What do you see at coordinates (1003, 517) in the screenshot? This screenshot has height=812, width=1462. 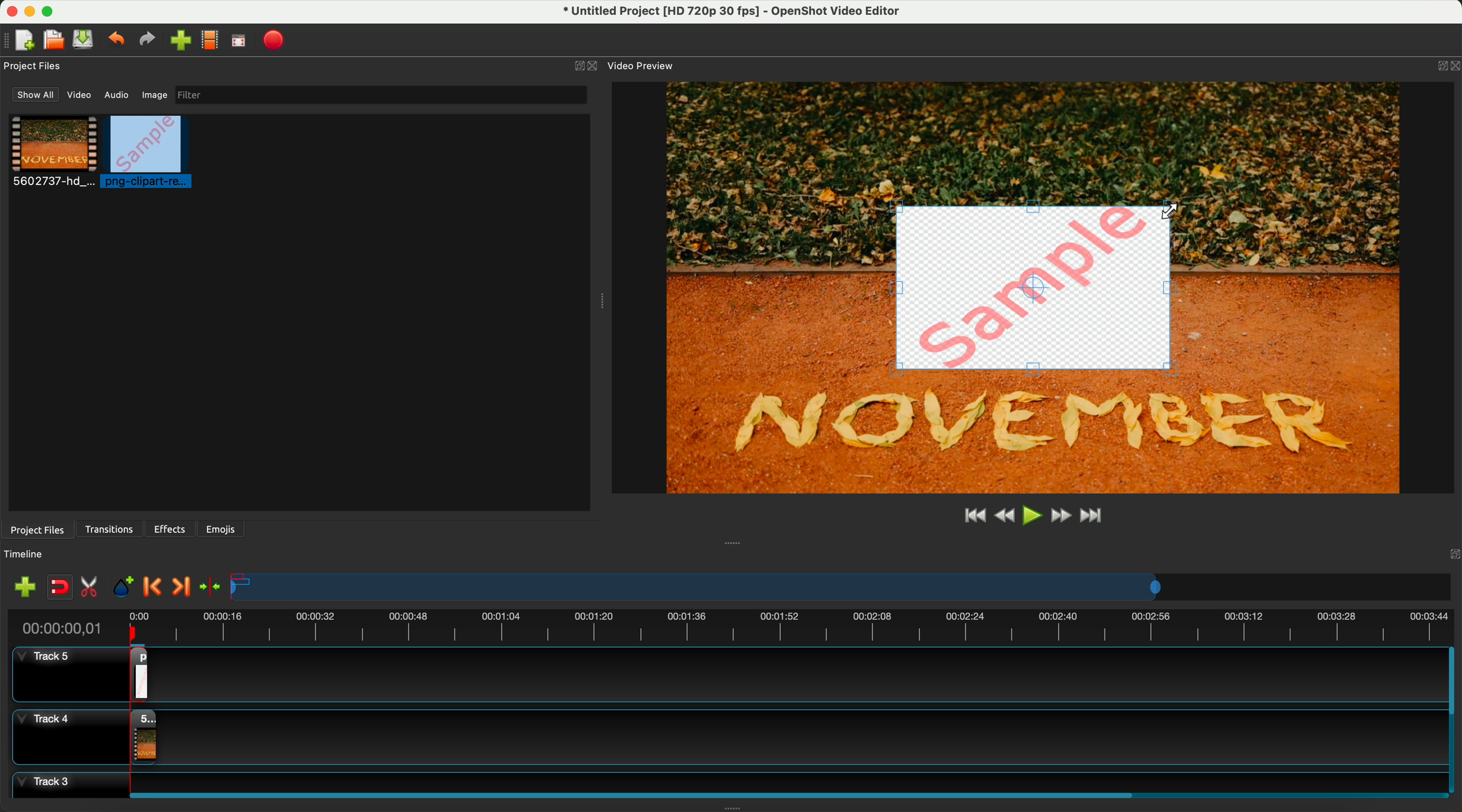 I see `rewind` at bounding box center [1003, 517].